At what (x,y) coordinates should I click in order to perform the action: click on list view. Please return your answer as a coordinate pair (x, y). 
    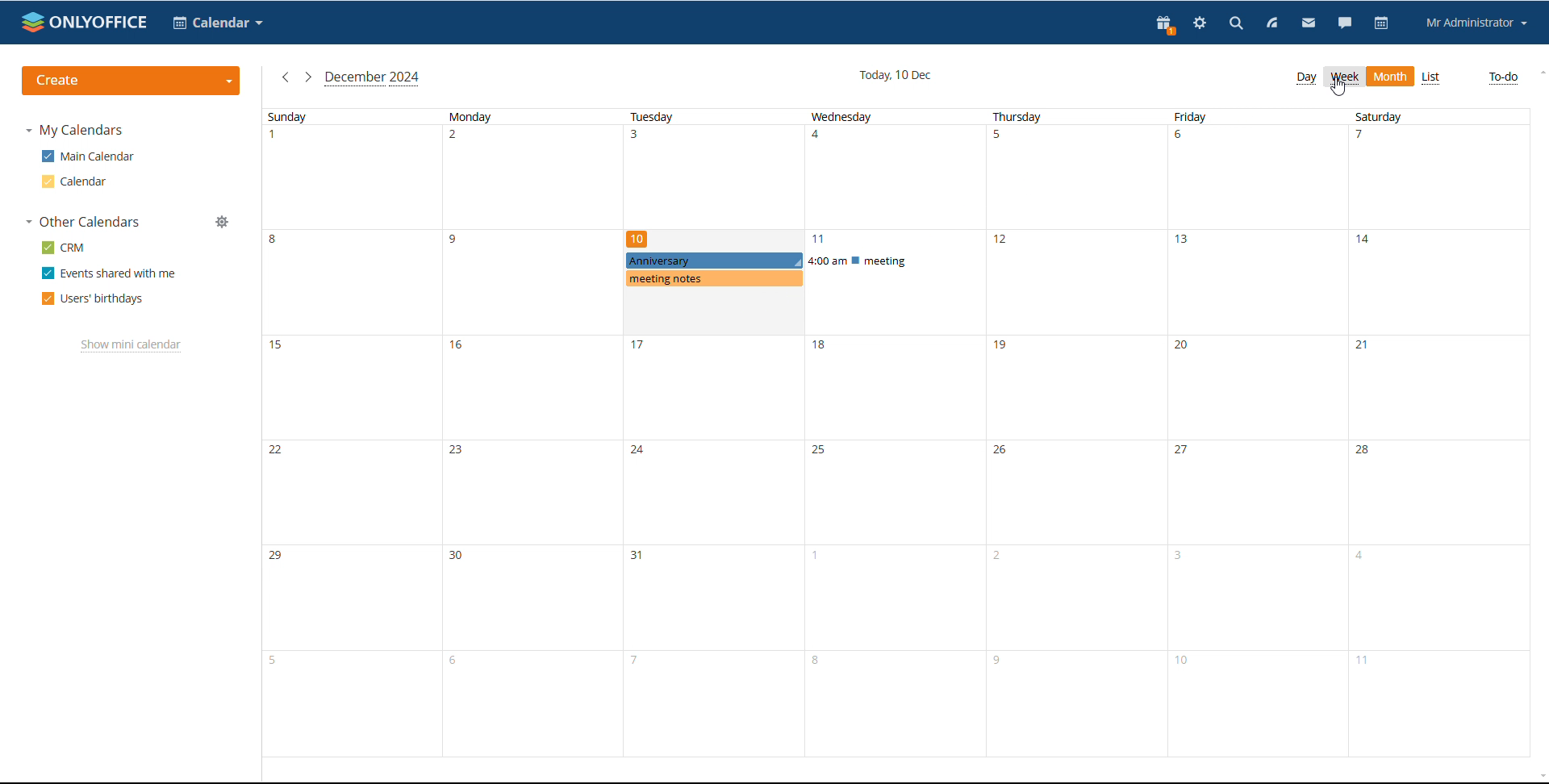
    Looking at the image, I should click on (1431, 78).